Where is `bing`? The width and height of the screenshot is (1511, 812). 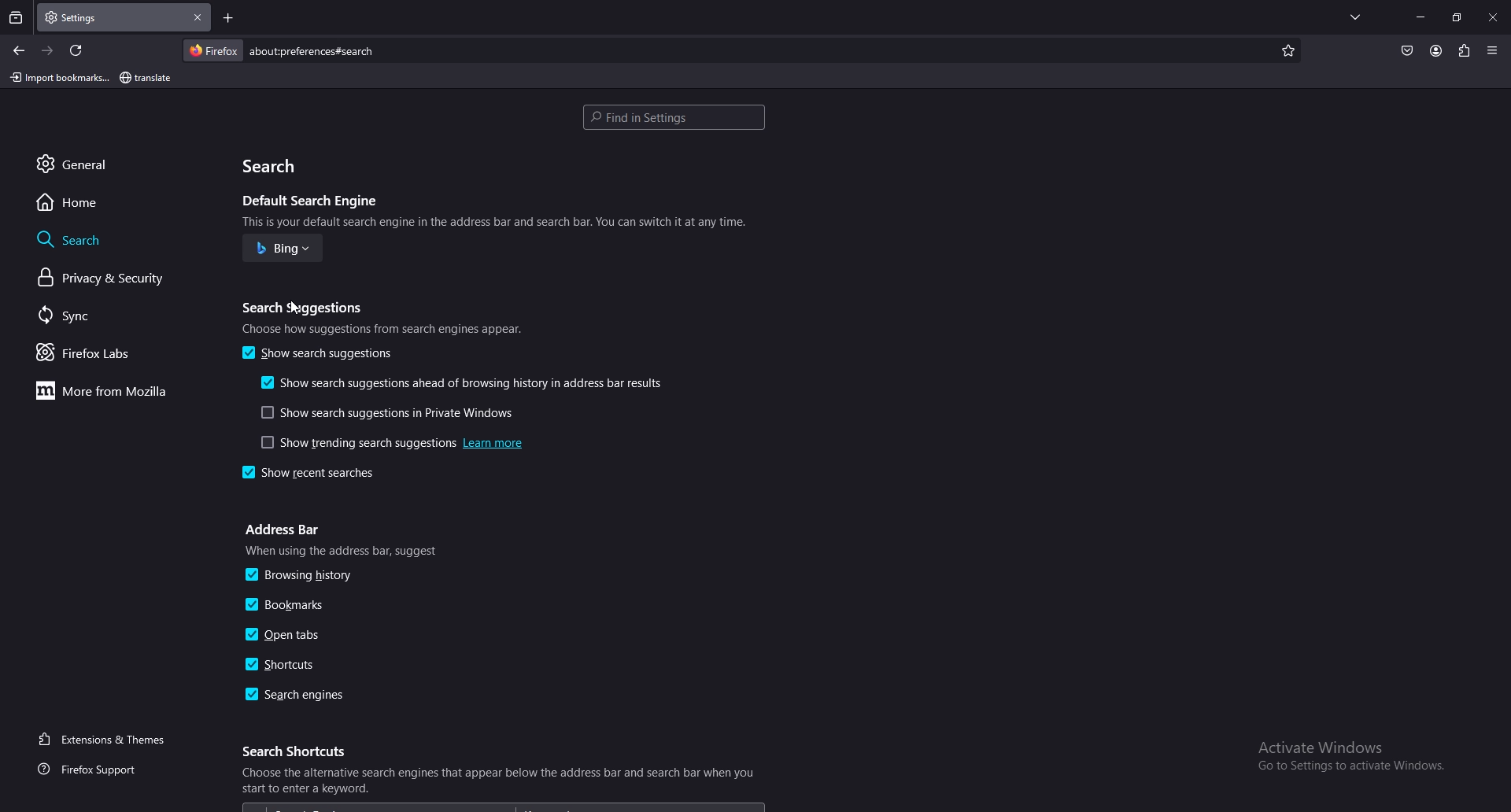
bing is located at coordinates (285, 249).